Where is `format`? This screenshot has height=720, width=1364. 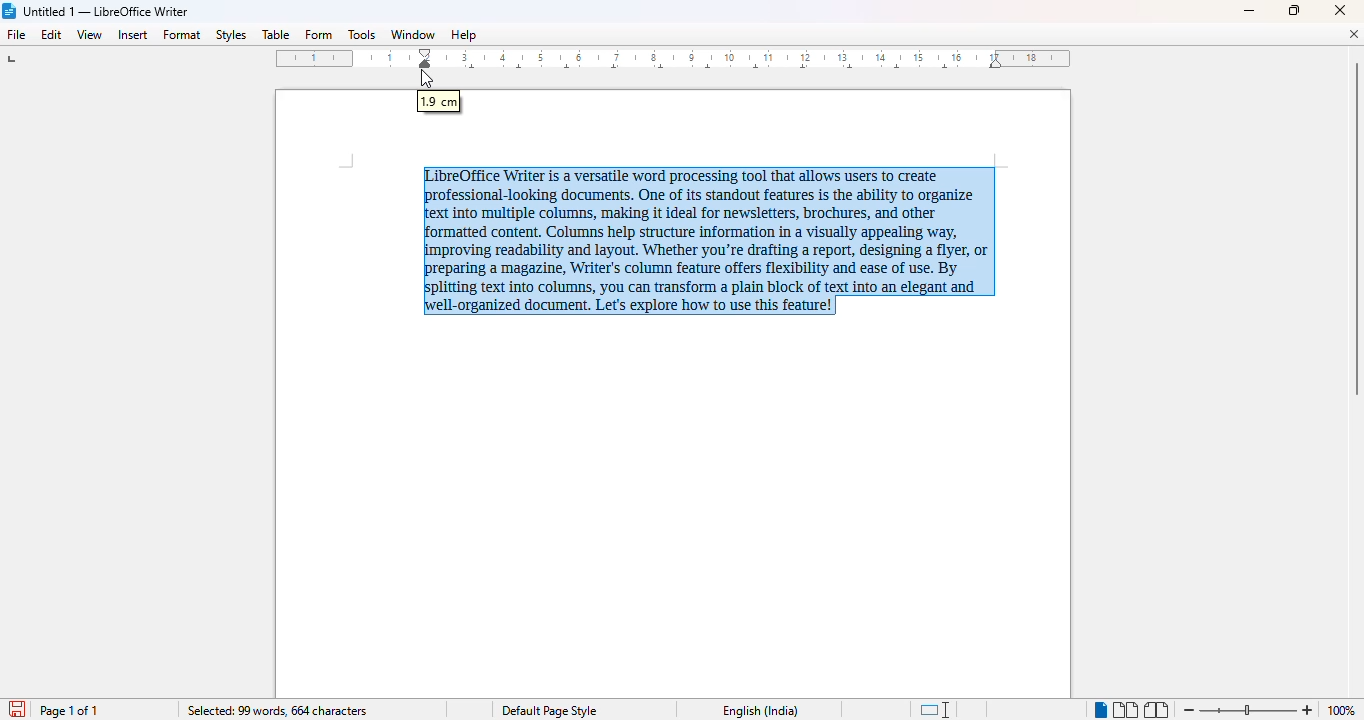
format is located at coordinates (183, 35).